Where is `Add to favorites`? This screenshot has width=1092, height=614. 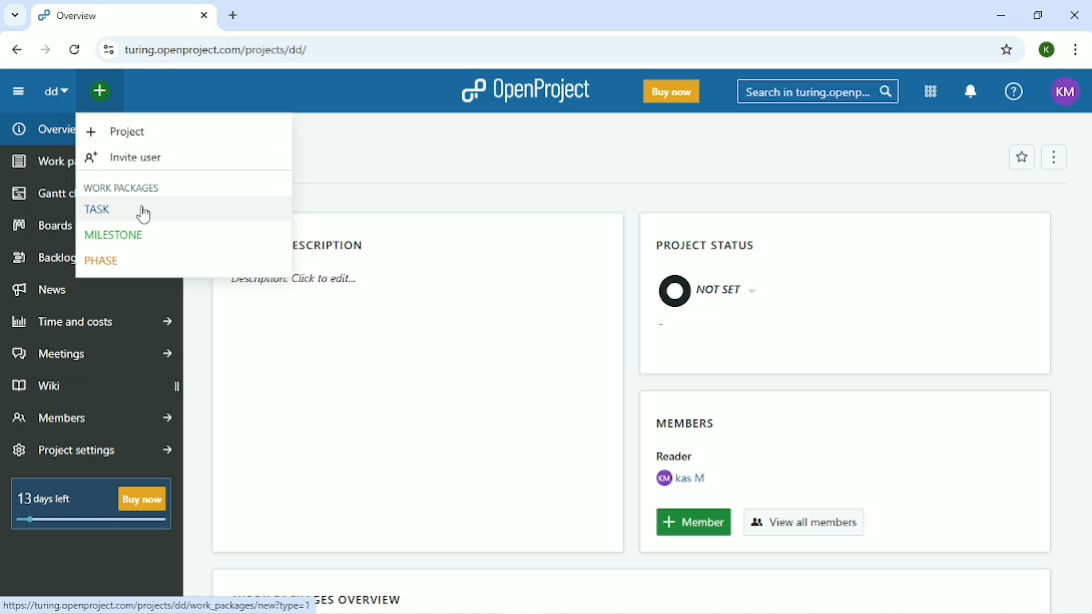 Add to favorites is located at coordinates (1022, 156).